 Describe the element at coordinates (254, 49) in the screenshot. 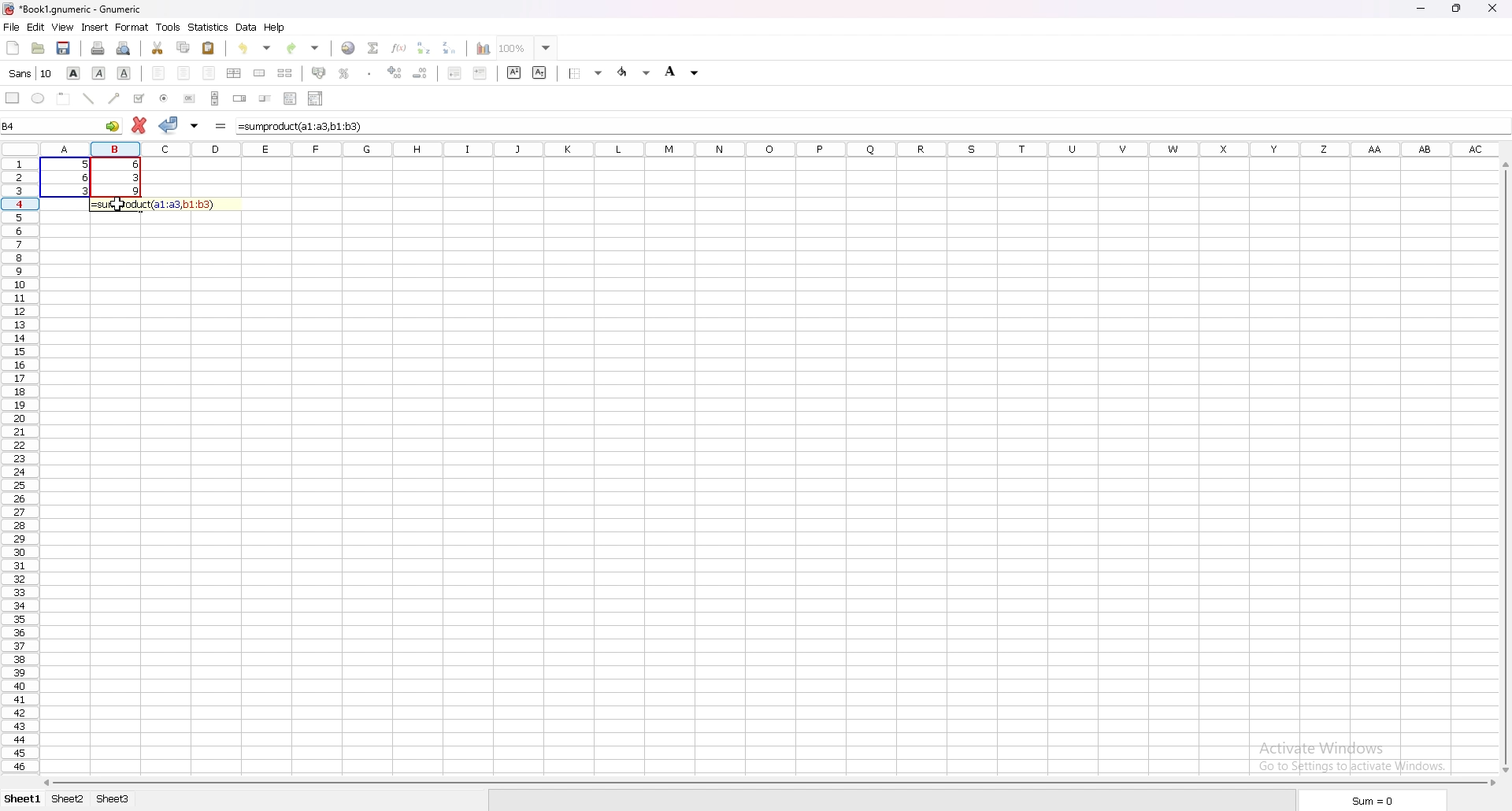

I see `undo` at that location.